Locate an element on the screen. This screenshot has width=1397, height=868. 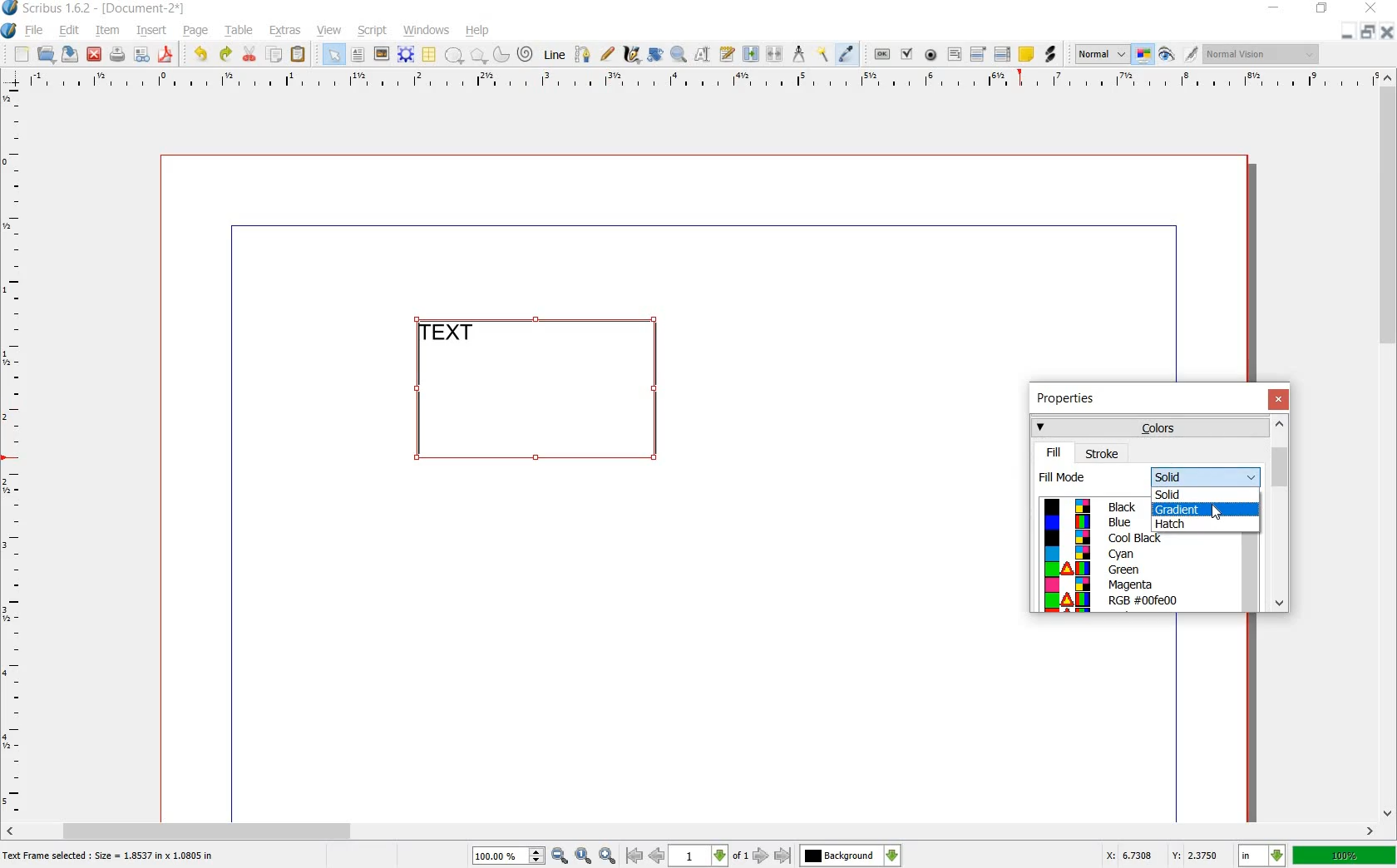
save is located at coordinates (72, 54).